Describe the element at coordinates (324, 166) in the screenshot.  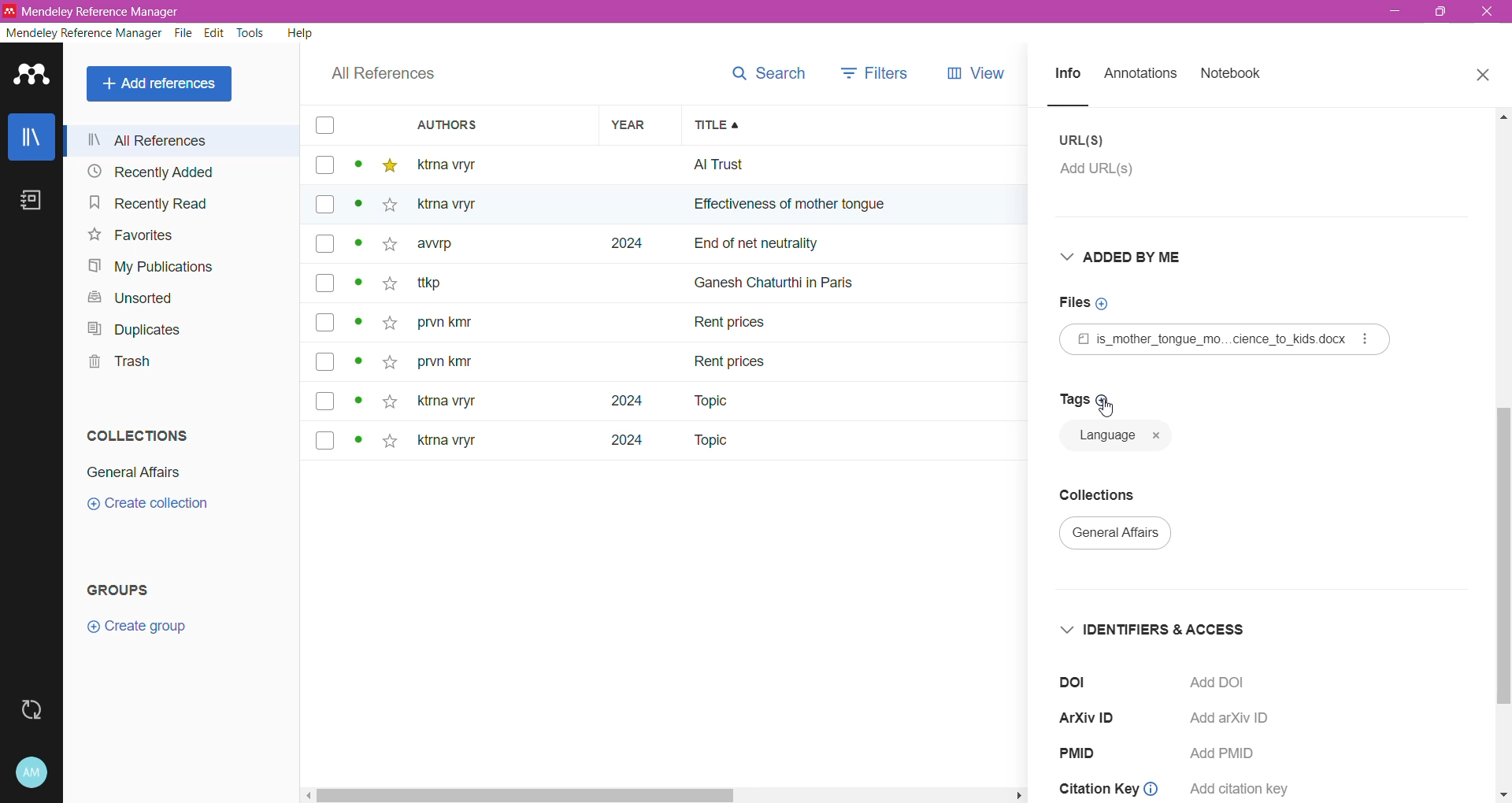
I see `box` at that location.